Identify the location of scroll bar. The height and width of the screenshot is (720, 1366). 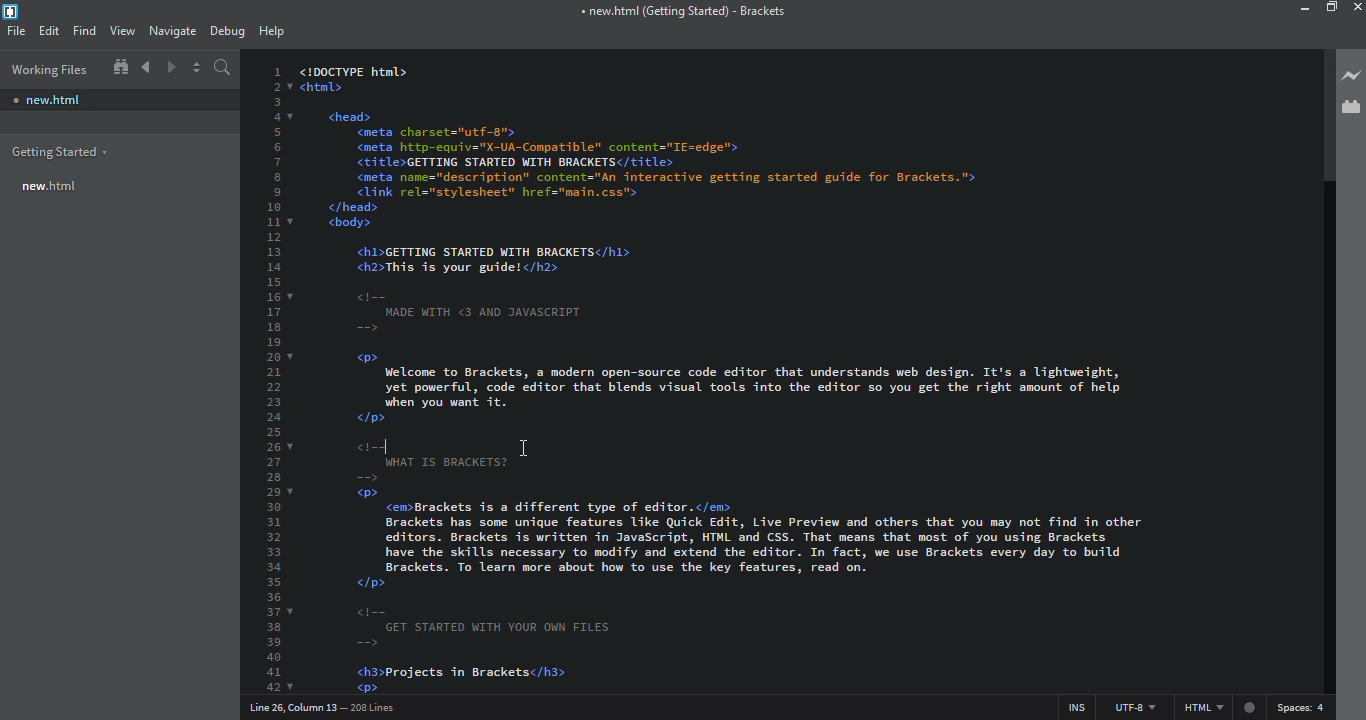
(1323, 114).